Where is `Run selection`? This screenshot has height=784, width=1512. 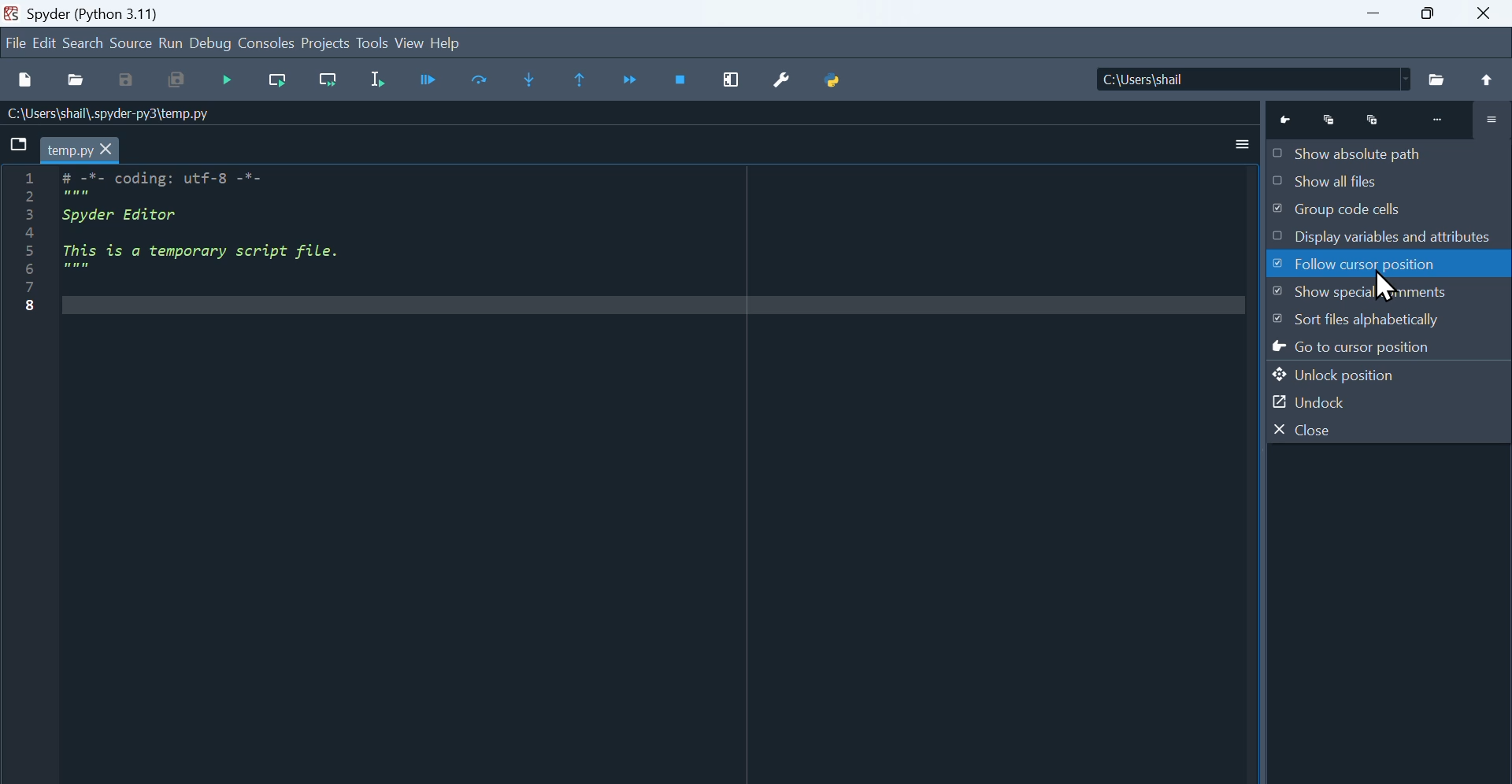 Run selection is located at coordinates (380, 80).